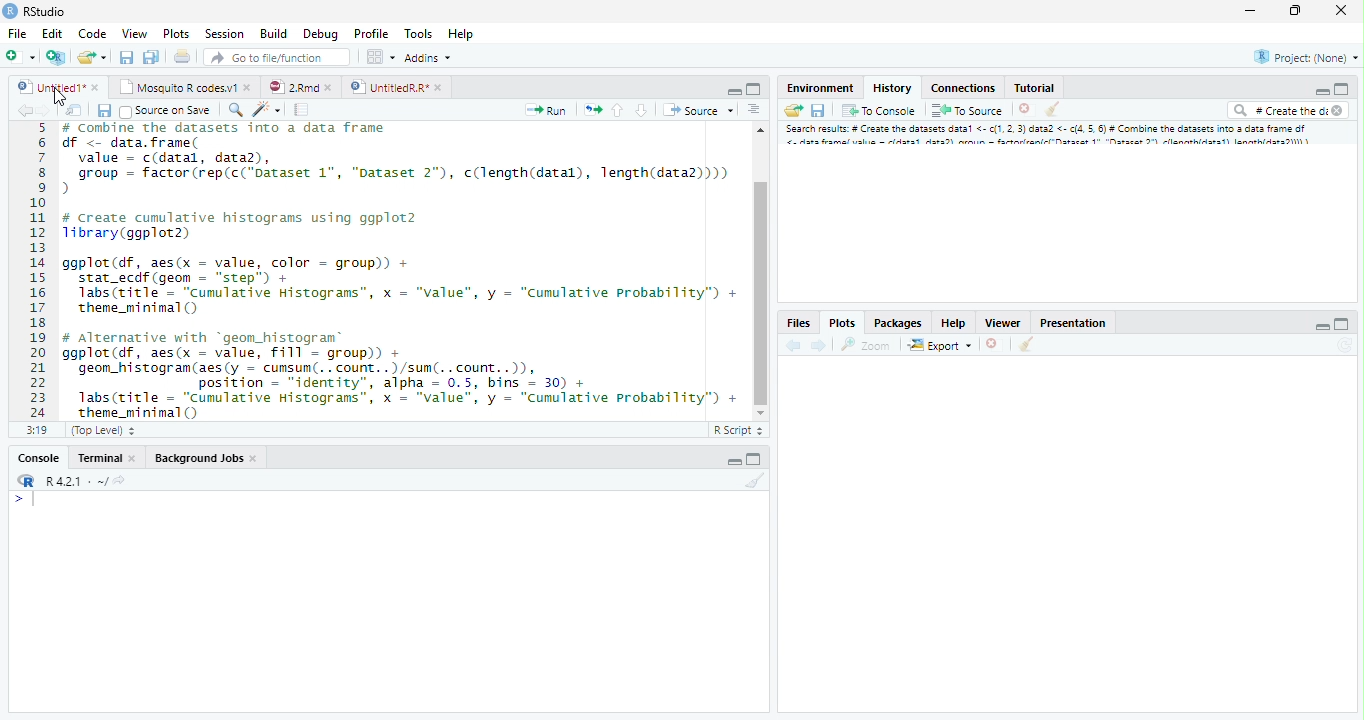 The width and height of the screenshot is (1364, 720). What do you see at coordinates (757, 460) in the screenshot?
I see `Maximize` at bounding box center [757, 460].